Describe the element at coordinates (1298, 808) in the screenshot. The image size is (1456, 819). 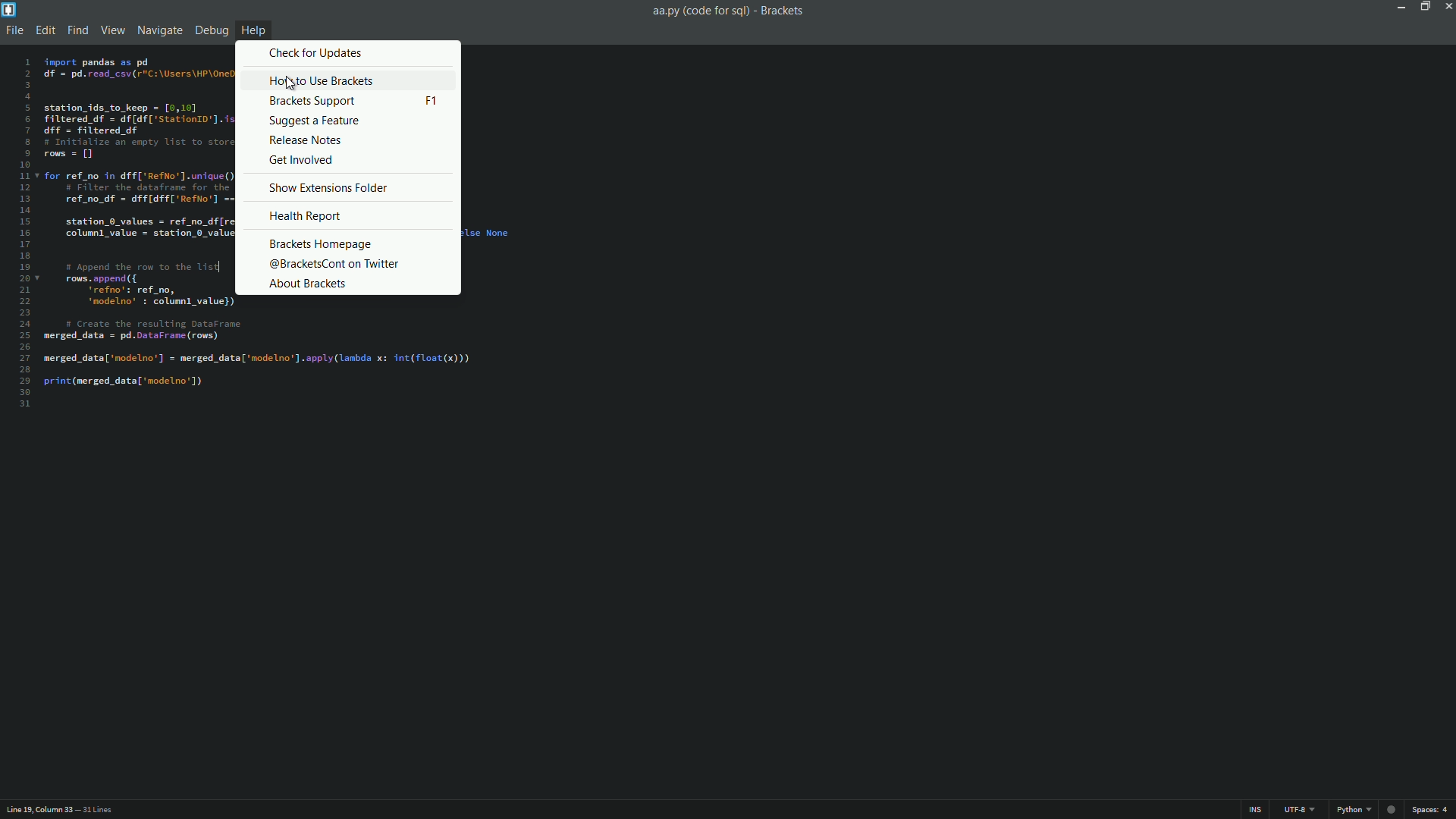
I see `line encoding - UTF-8` at that location.